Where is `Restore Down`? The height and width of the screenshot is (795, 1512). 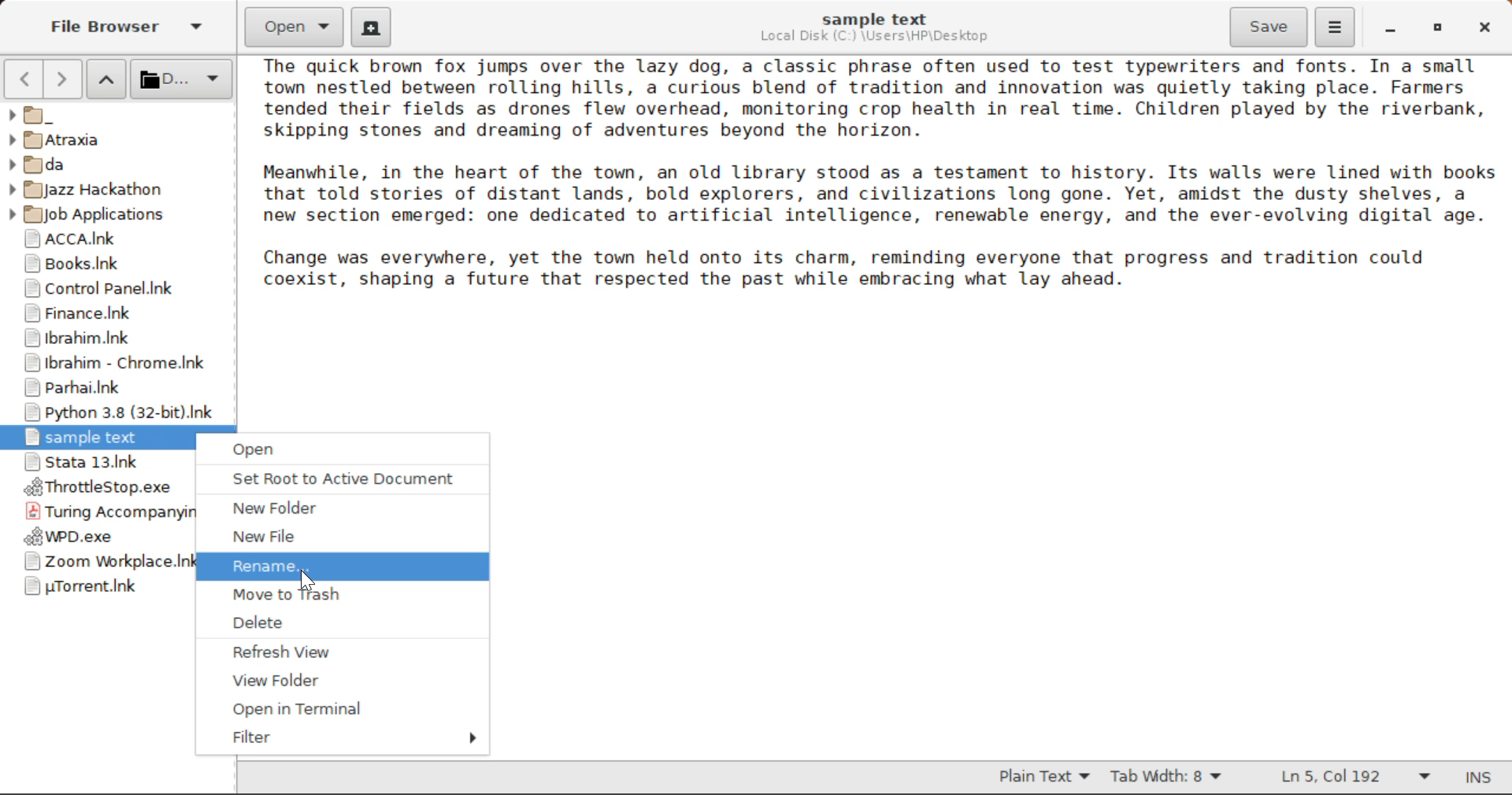 Restore Down is located at coordinates (1388, 30).